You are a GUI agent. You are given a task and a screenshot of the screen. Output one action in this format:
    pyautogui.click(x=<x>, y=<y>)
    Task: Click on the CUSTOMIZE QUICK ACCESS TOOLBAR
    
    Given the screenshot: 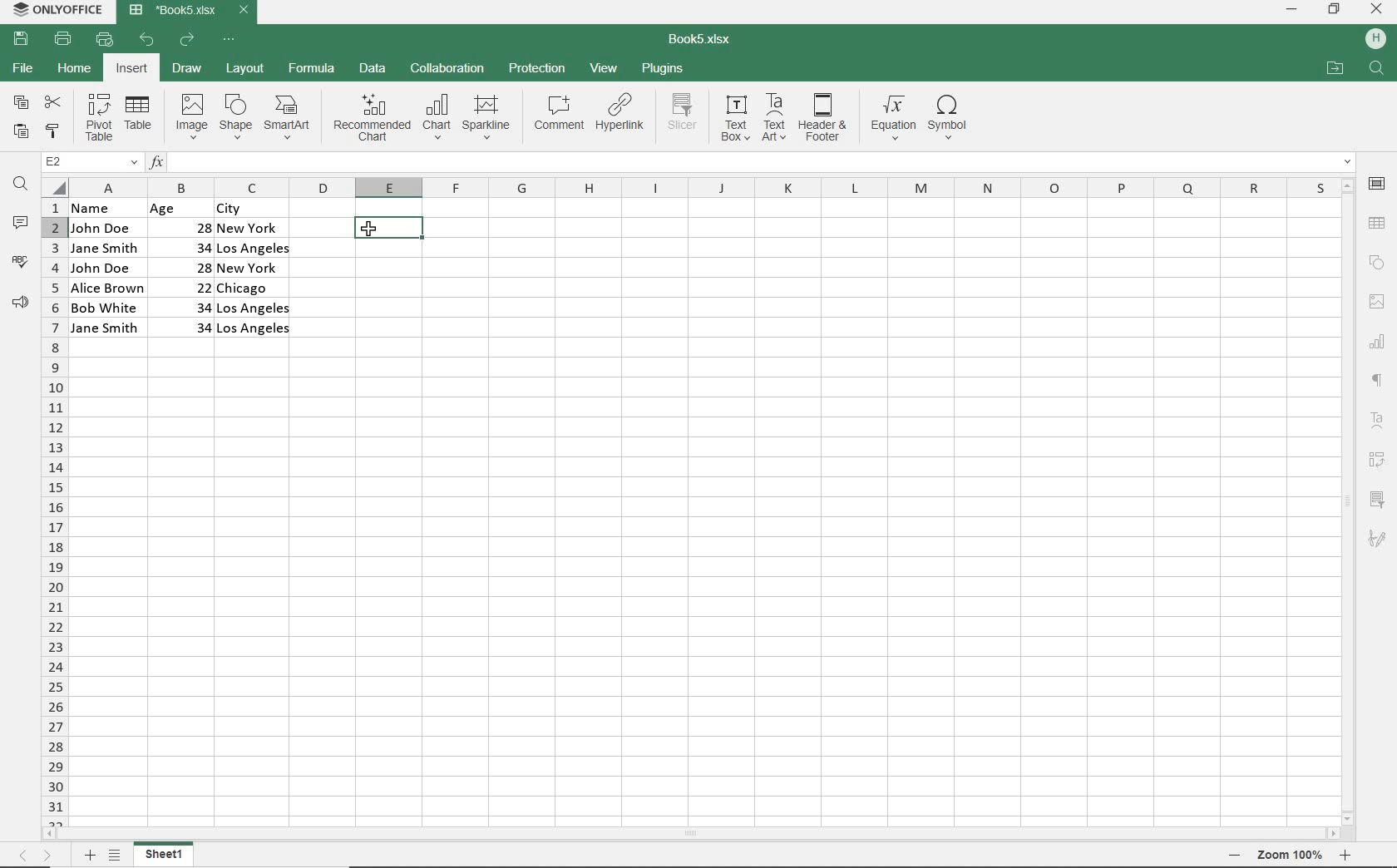 What is the action you would take?
    pyautogui.click(x=228, y=41)
    